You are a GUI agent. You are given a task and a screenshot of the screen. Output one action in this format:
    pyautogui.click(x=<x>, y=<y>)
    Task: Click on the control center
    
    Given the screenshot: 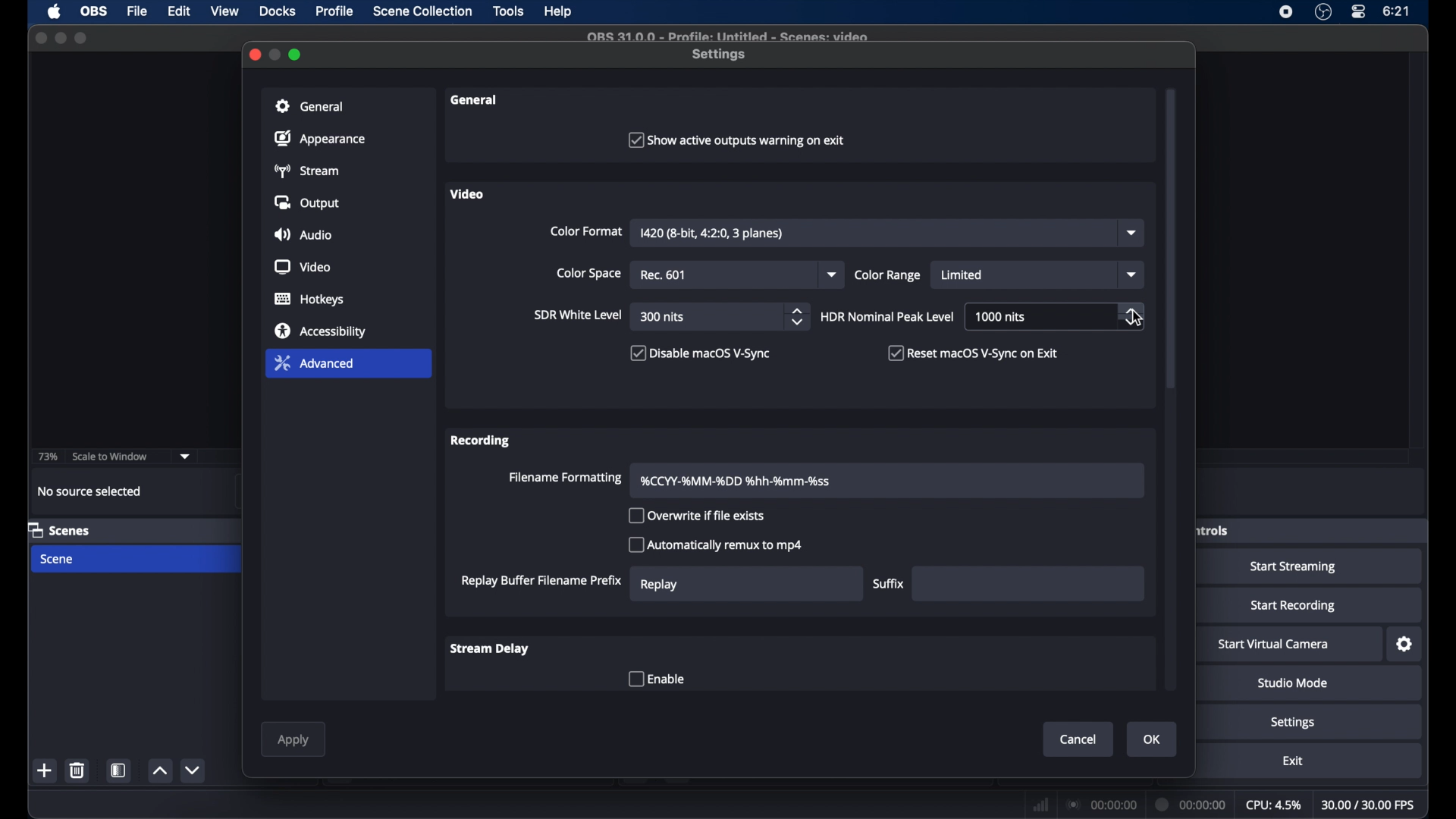 What is the action you would take?
    pyautogui.click(x=1357, y=12)
    